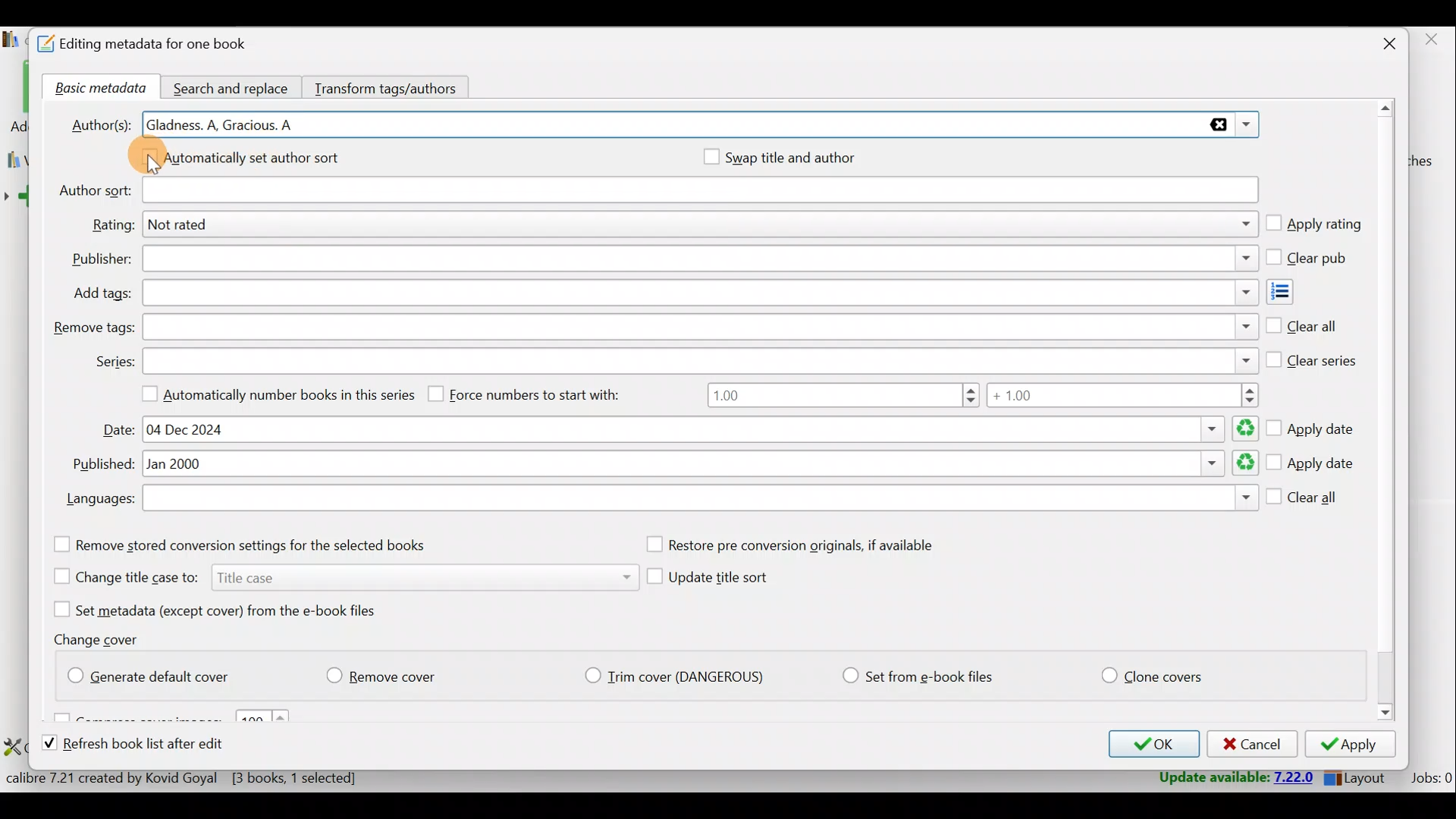 This screenshot has width=1456, height=819. What do you see at coordinates (1313, 424) in the screenshot?
I see `Apply date` at bounding box center [1313, 424].